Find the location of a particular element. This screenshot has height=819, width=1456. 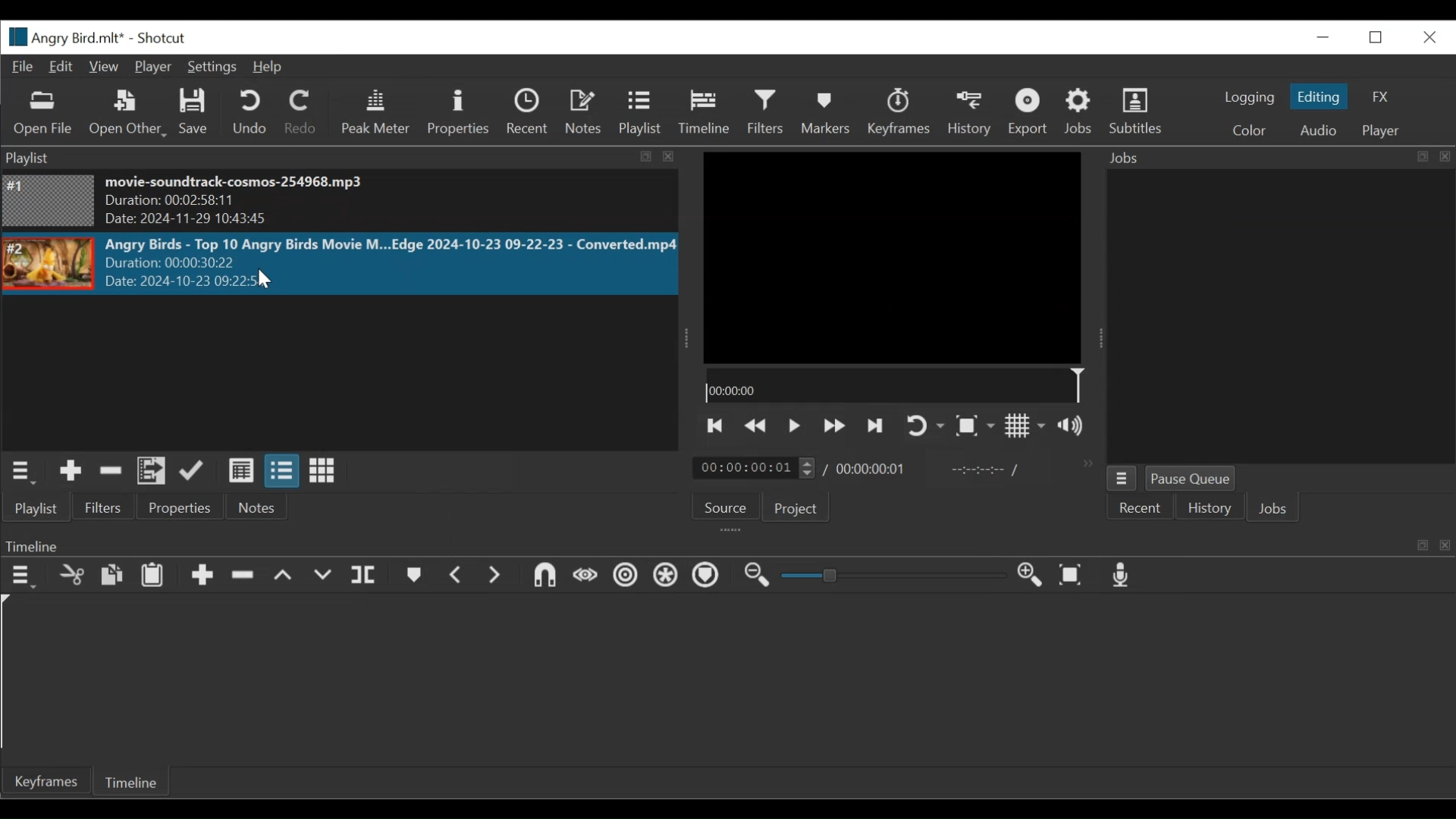

Cut is located at coordinates (71, 576).